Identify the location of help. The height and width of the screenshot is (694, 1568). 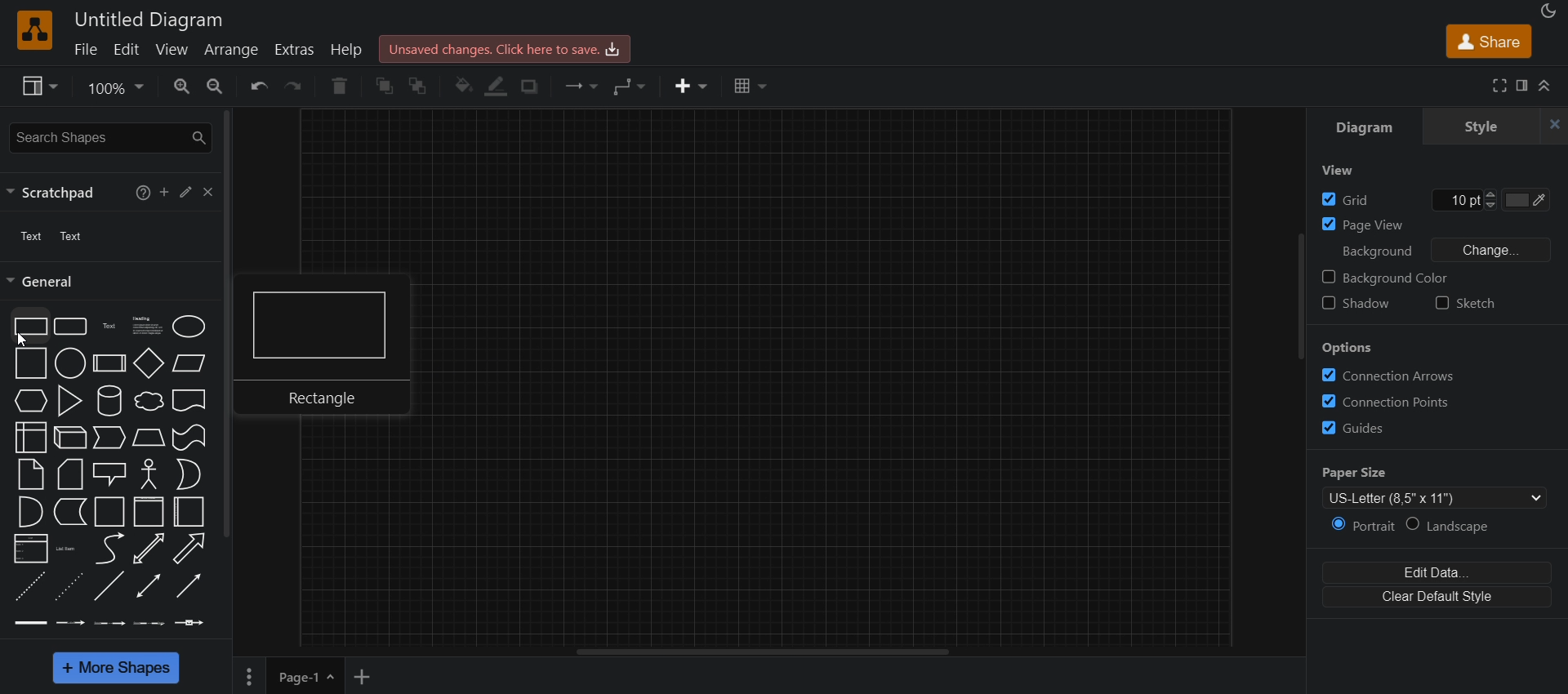
(338, 87).